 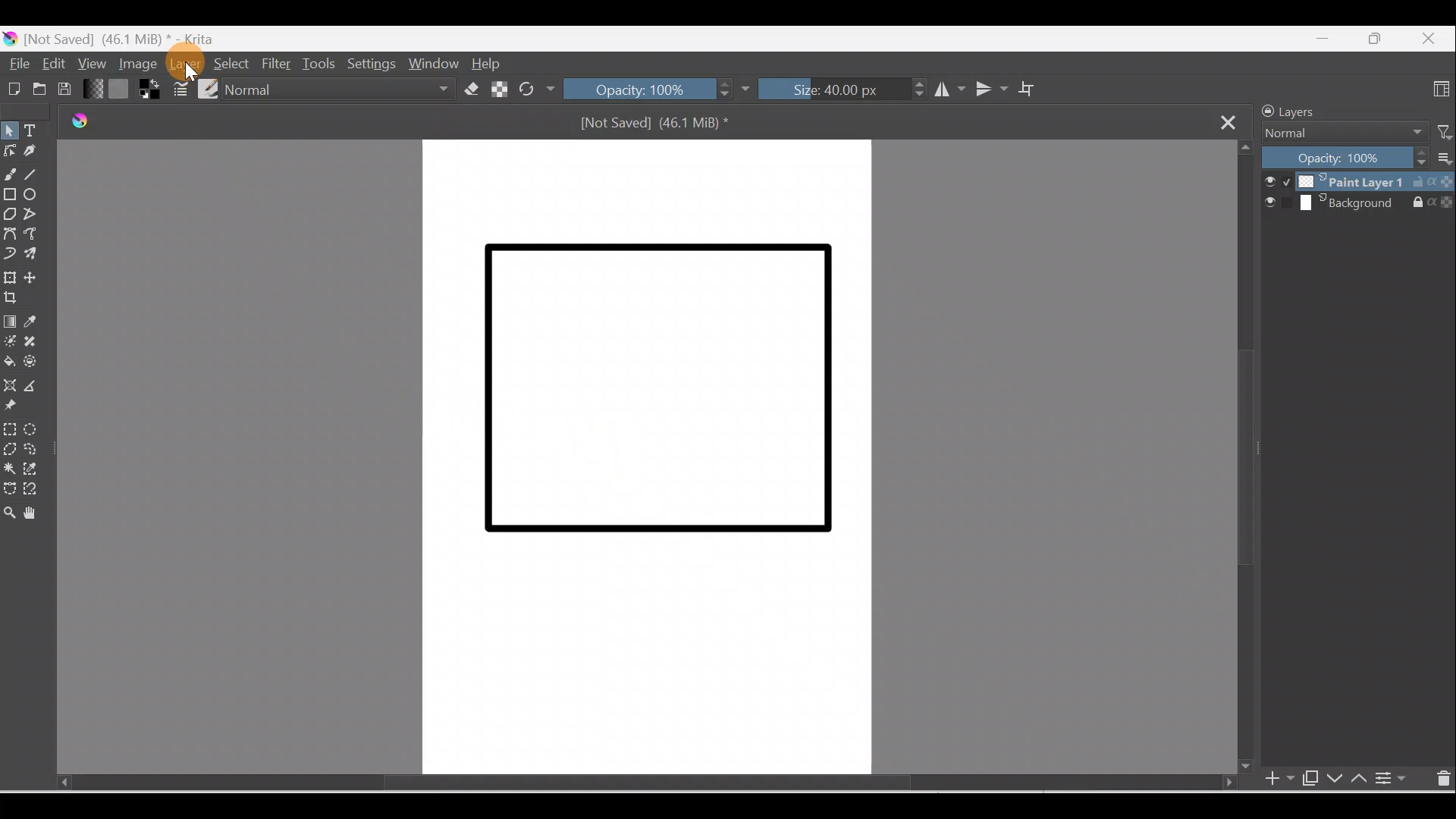 I want to click on Tools, so click(x=322, y=62).